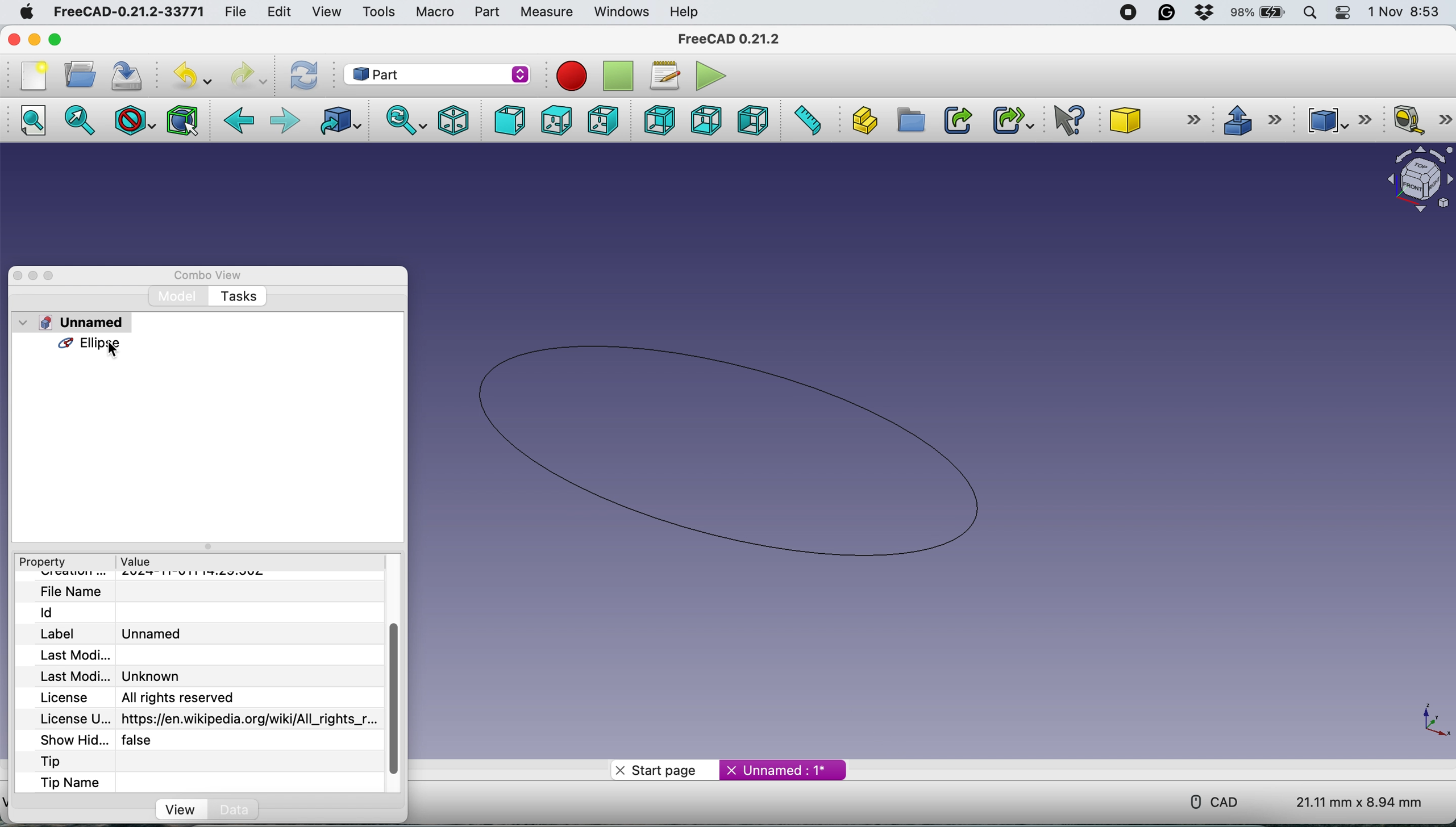  What do you see at coordinates (1009, 121) in the screenshot?
I see `make sub link` at bounding box center [1009, 121].